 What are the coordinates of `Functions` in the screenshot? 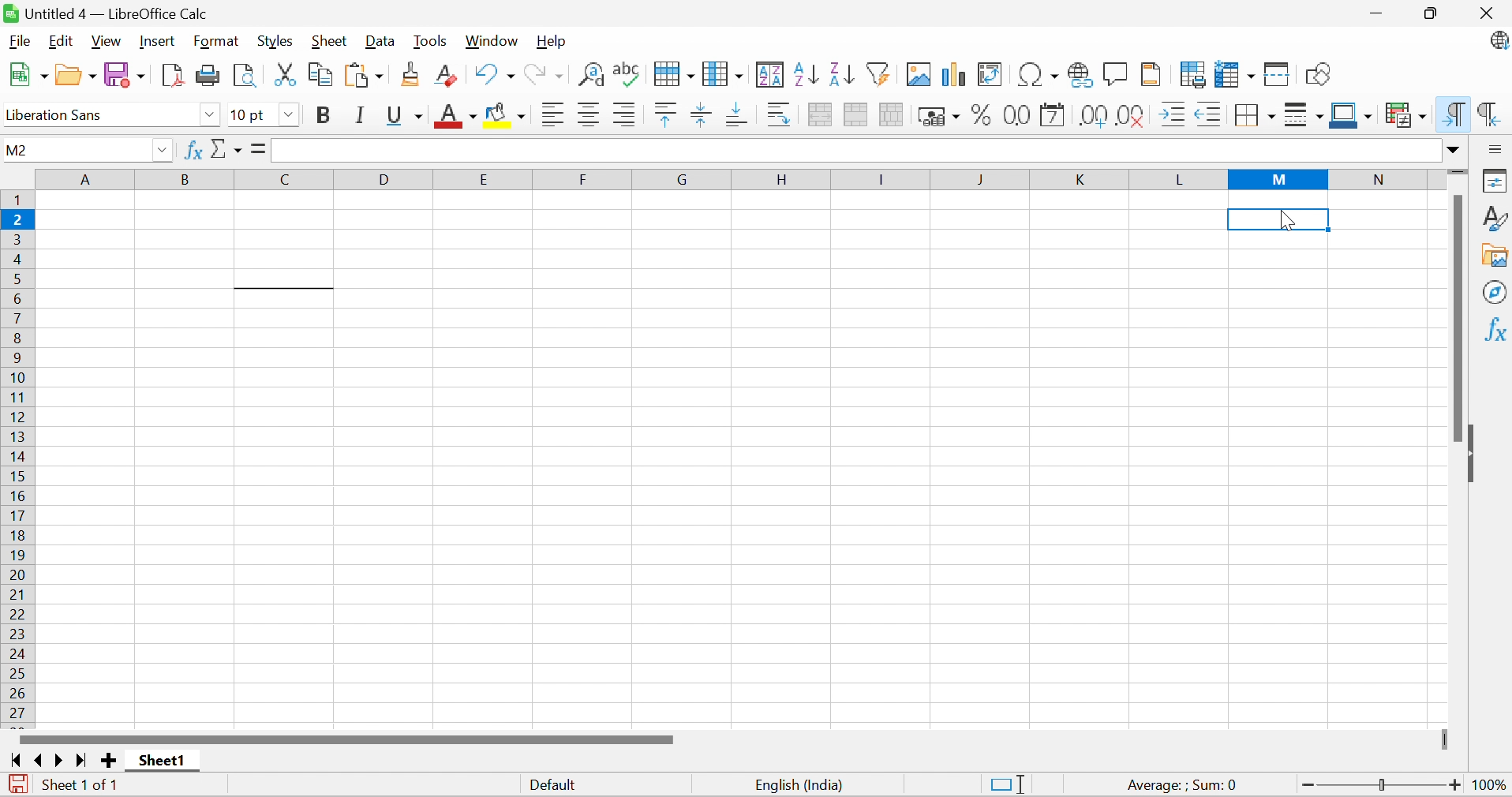 It's located at (1495, 328).